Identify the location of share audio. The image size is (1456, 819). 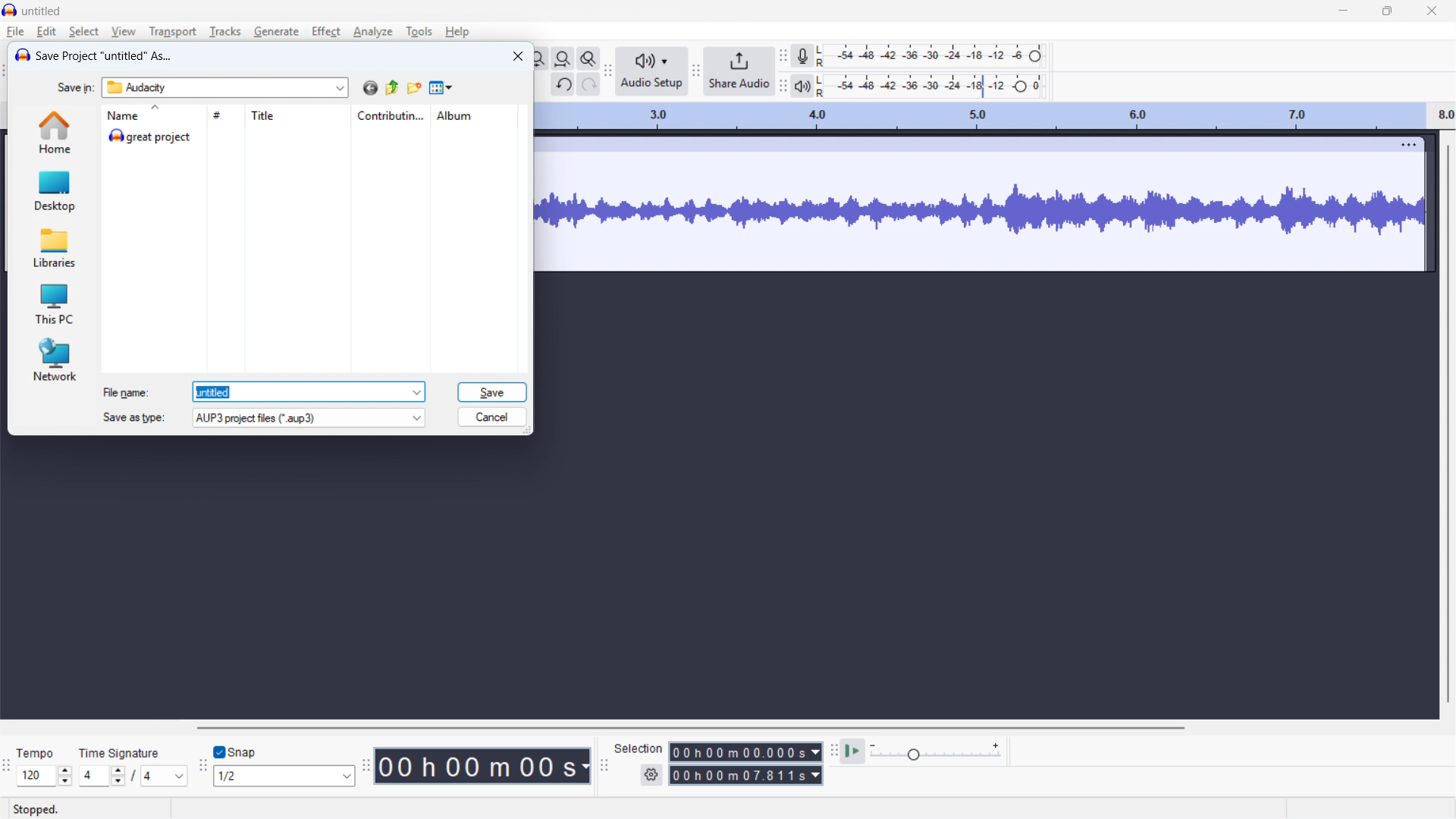
(739, 72).